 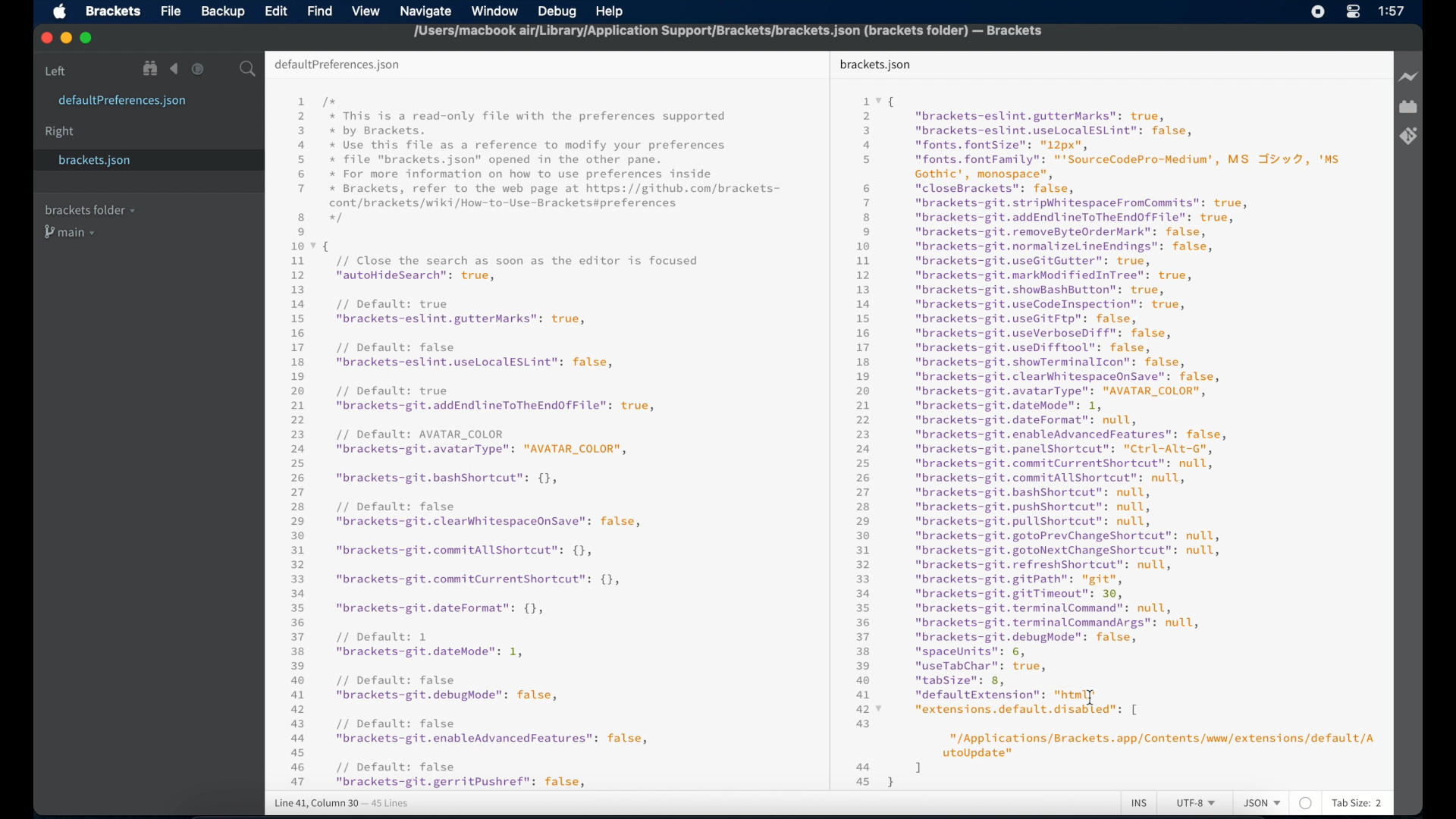 I want to click on utf-8, so click(x=1197, y=804).